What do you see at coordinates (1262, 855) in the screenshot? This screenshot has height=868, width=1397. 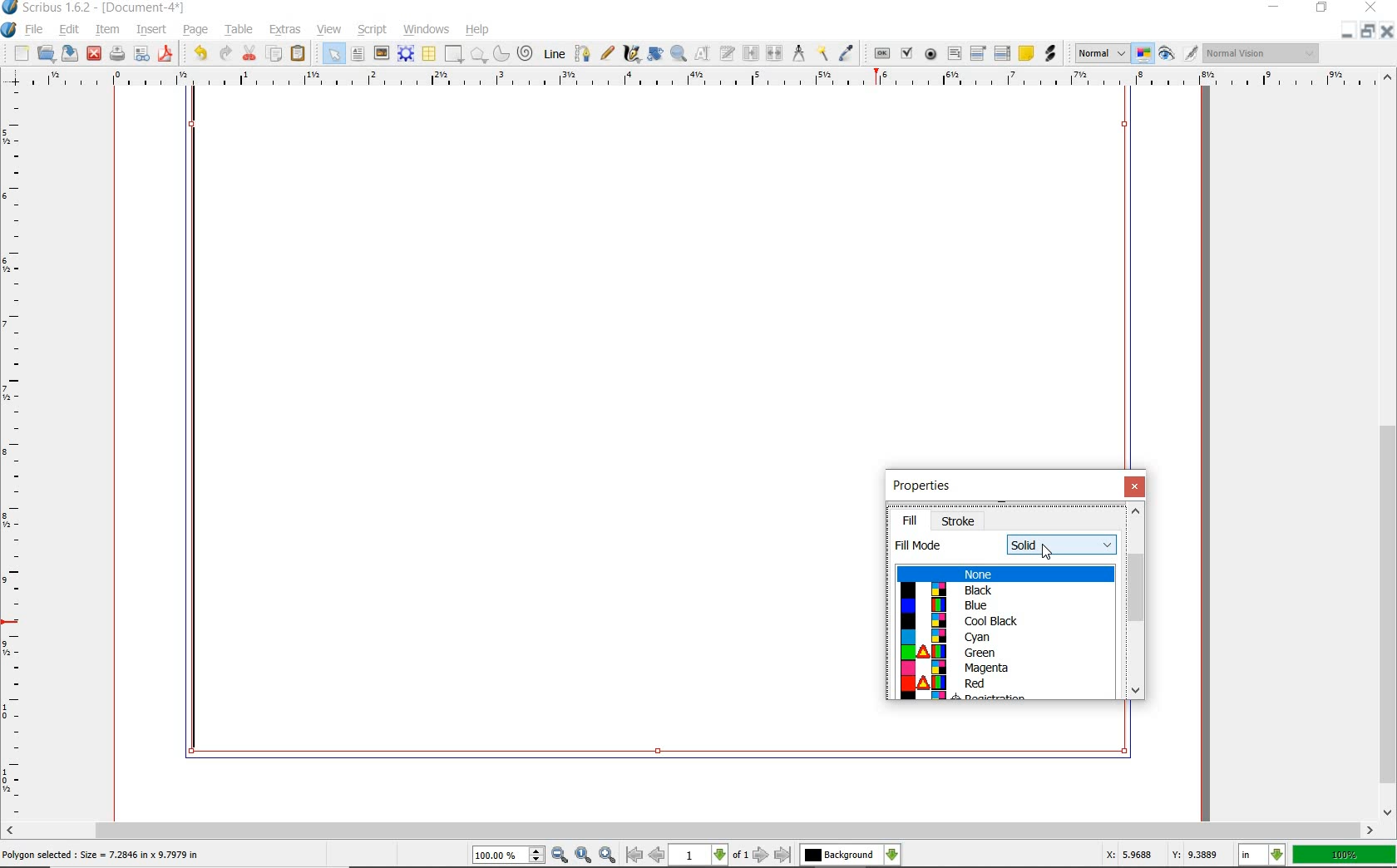 I see `in` at bounding box center [1262, 855].